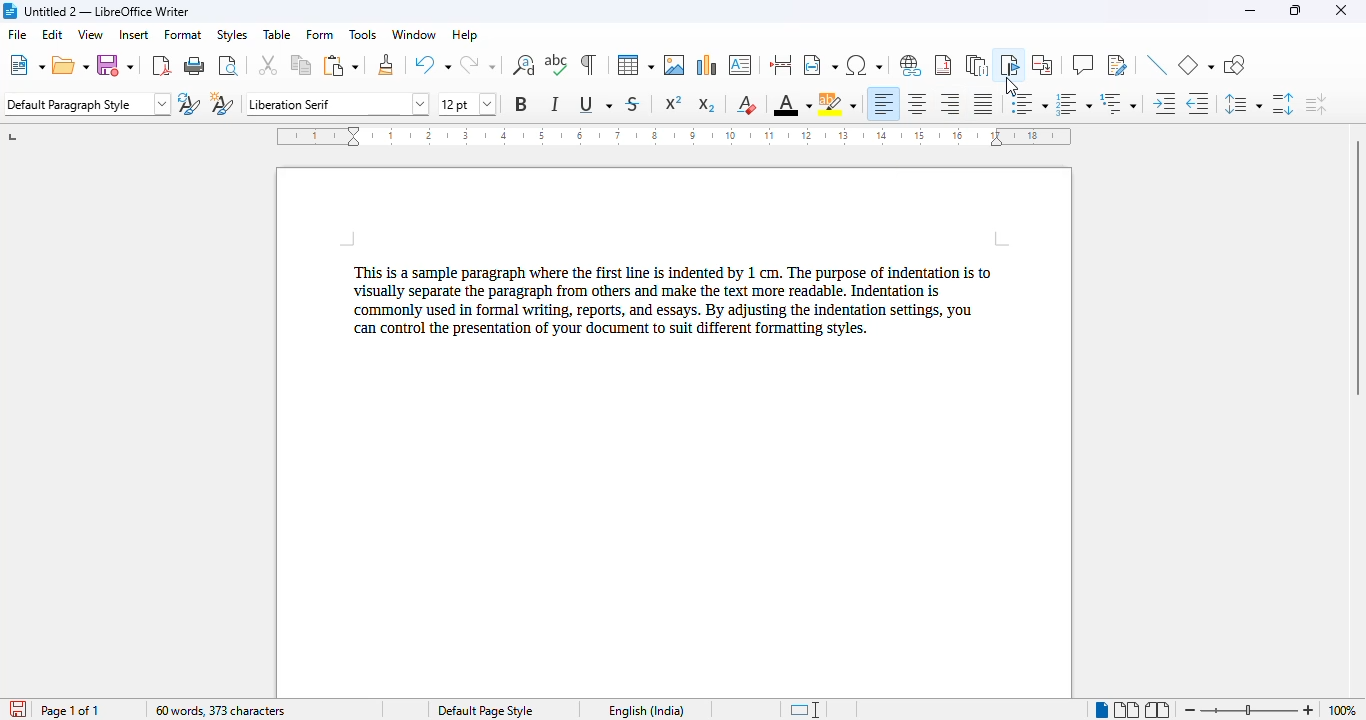  Describe the element at coordinates (1117, 103) in the screenshot. I see `select outline format` at that location.